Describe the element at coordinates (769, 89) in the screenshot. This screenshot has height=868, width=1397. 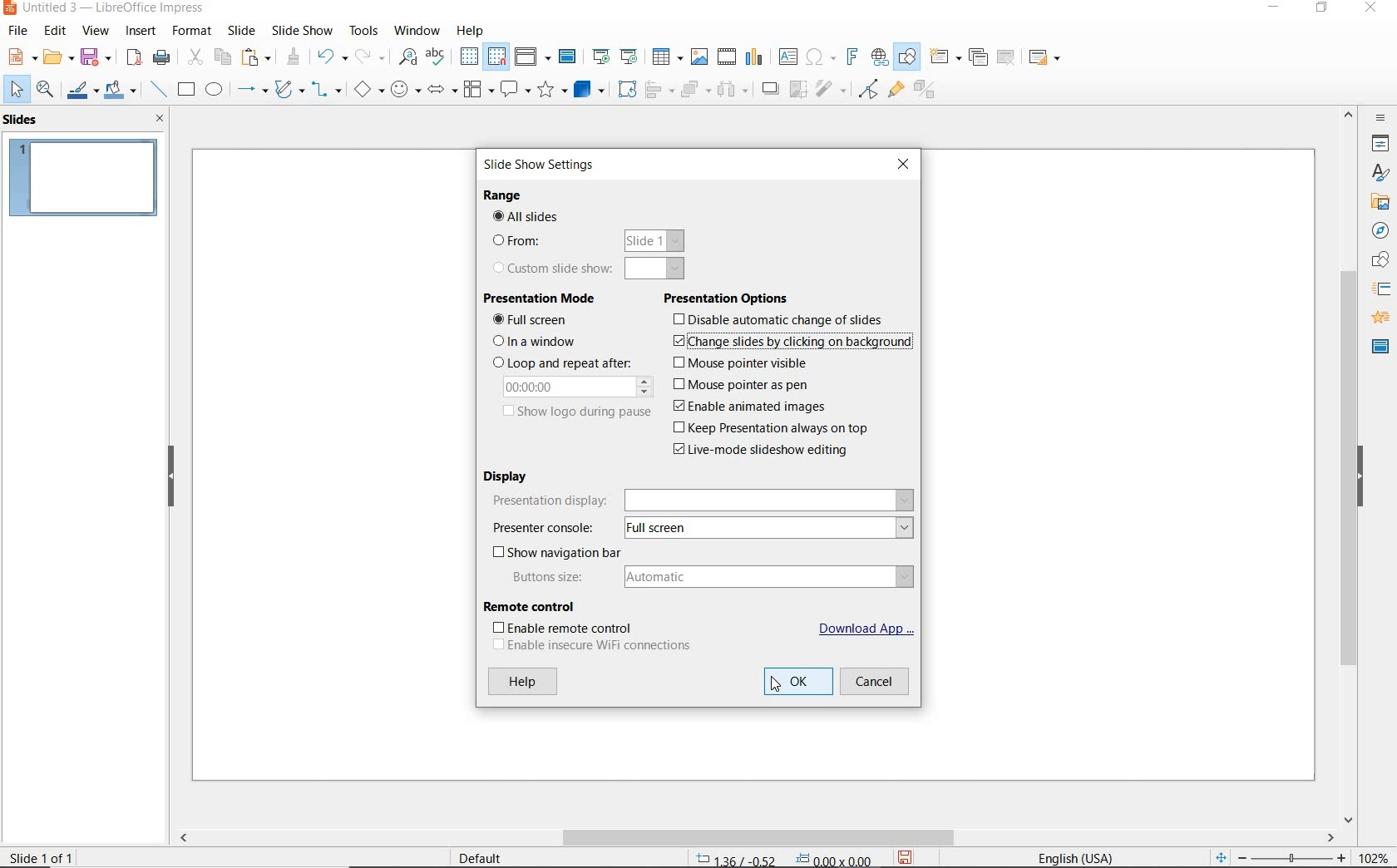
I see `SHADOW` at that location.